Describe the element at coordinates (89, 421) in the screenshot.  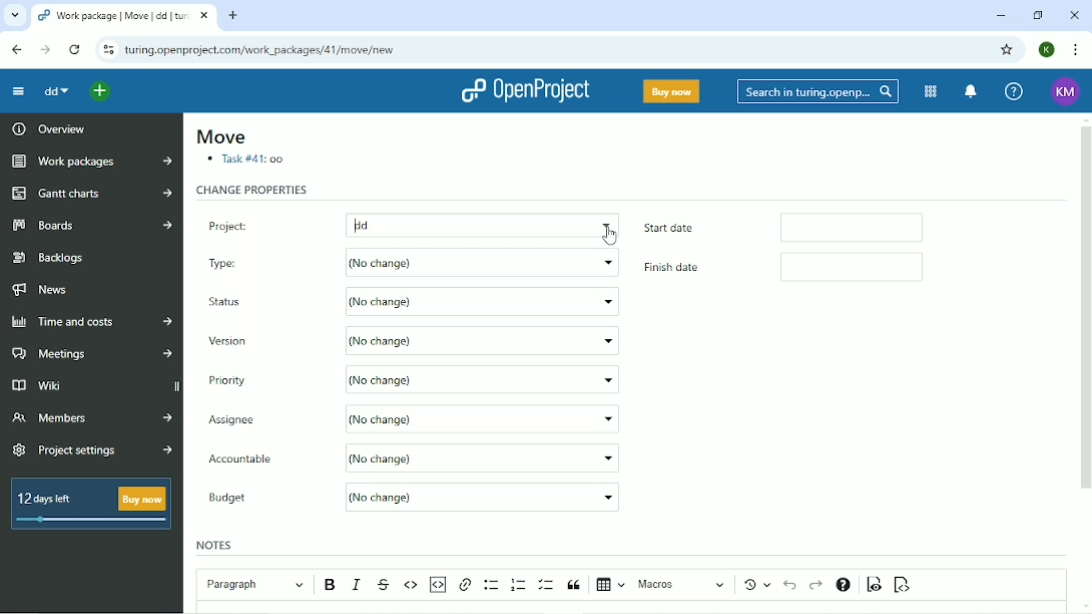
I see `Members` at that location.